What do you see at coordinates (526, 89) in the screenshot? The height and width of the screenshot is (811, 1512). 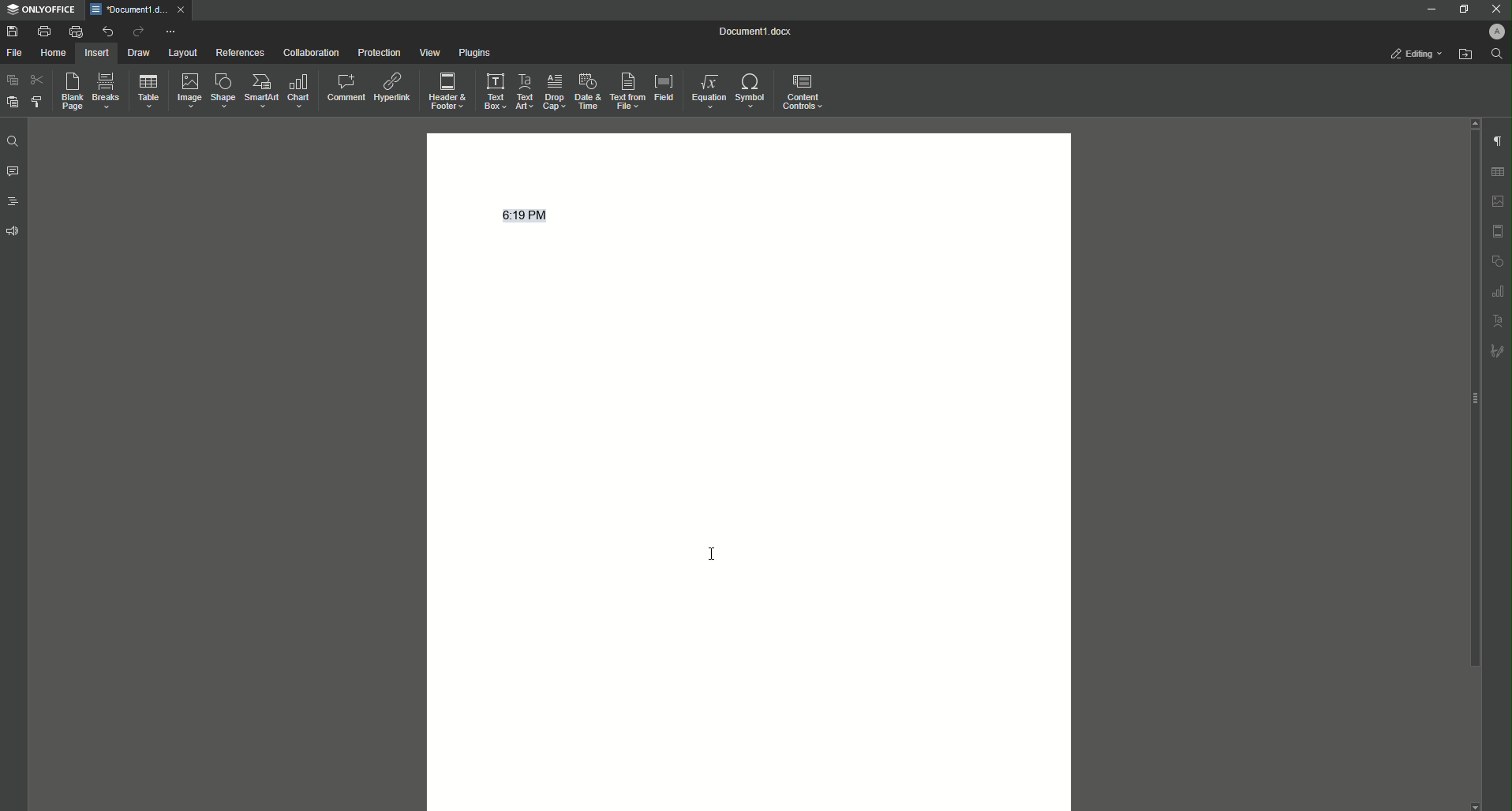 I see `Text Art` at bounding box center [526, 89].